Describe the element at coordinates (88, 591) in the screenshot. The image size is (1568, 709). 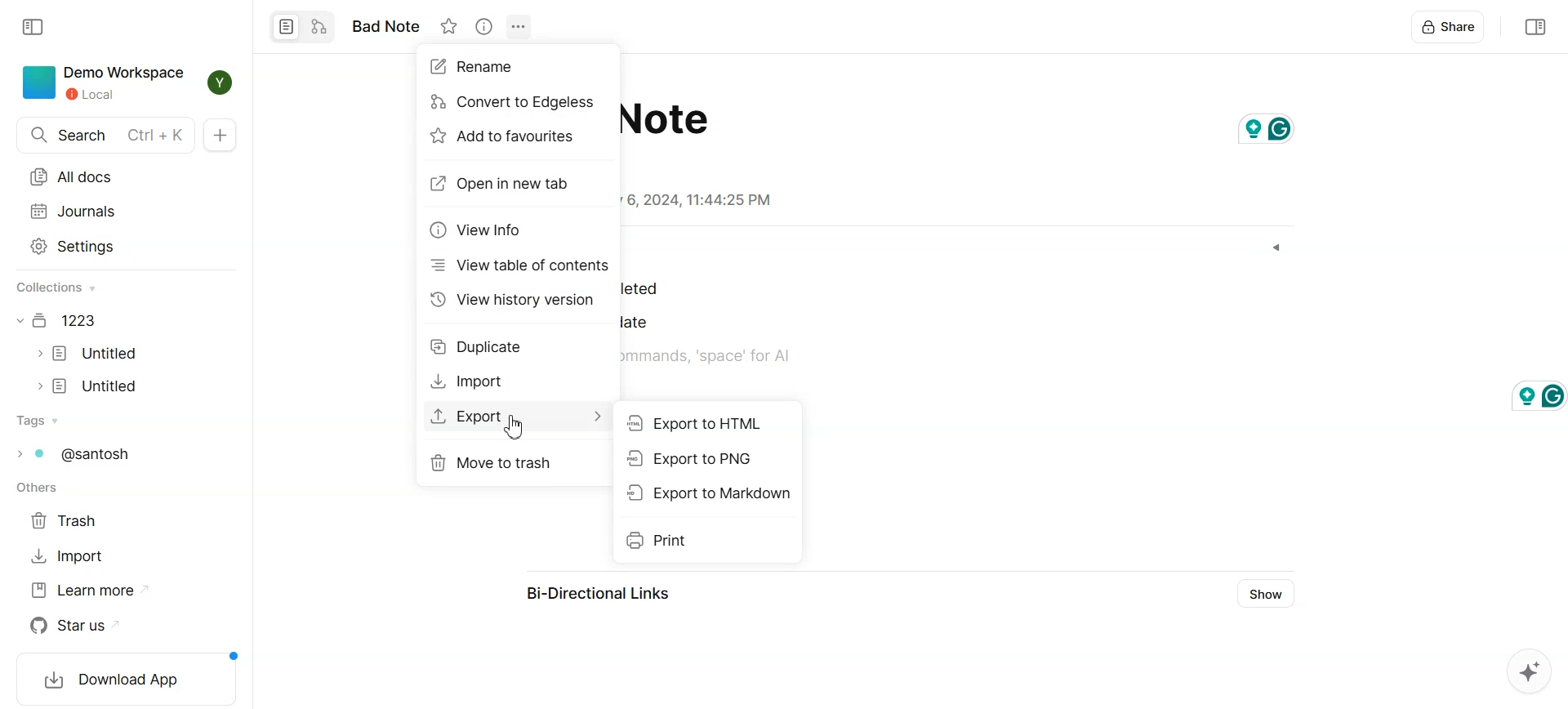
I see `Learn more` at that location.